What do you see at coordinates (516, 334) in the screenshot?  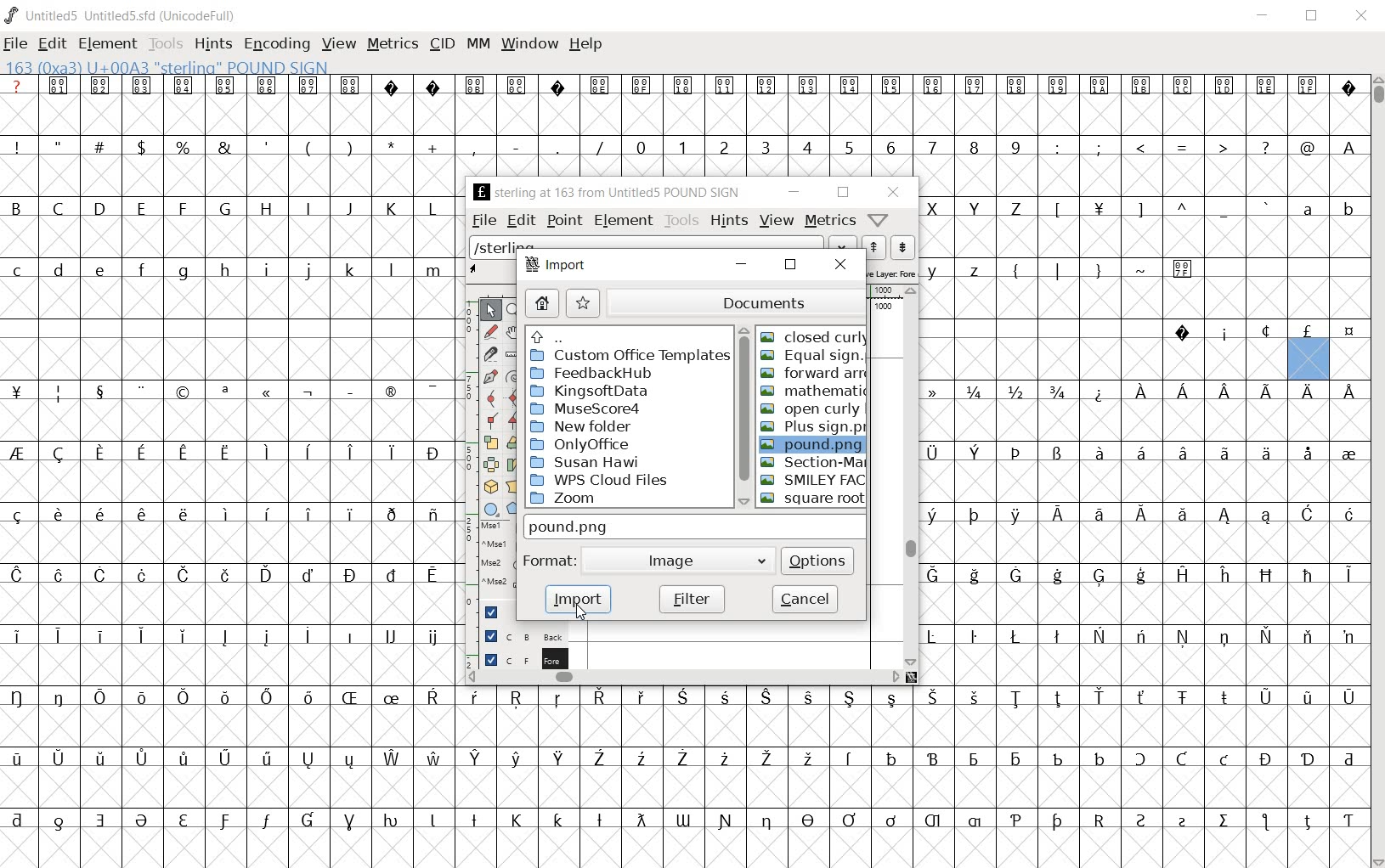 I see `pan` at bounding box center [516, 334].